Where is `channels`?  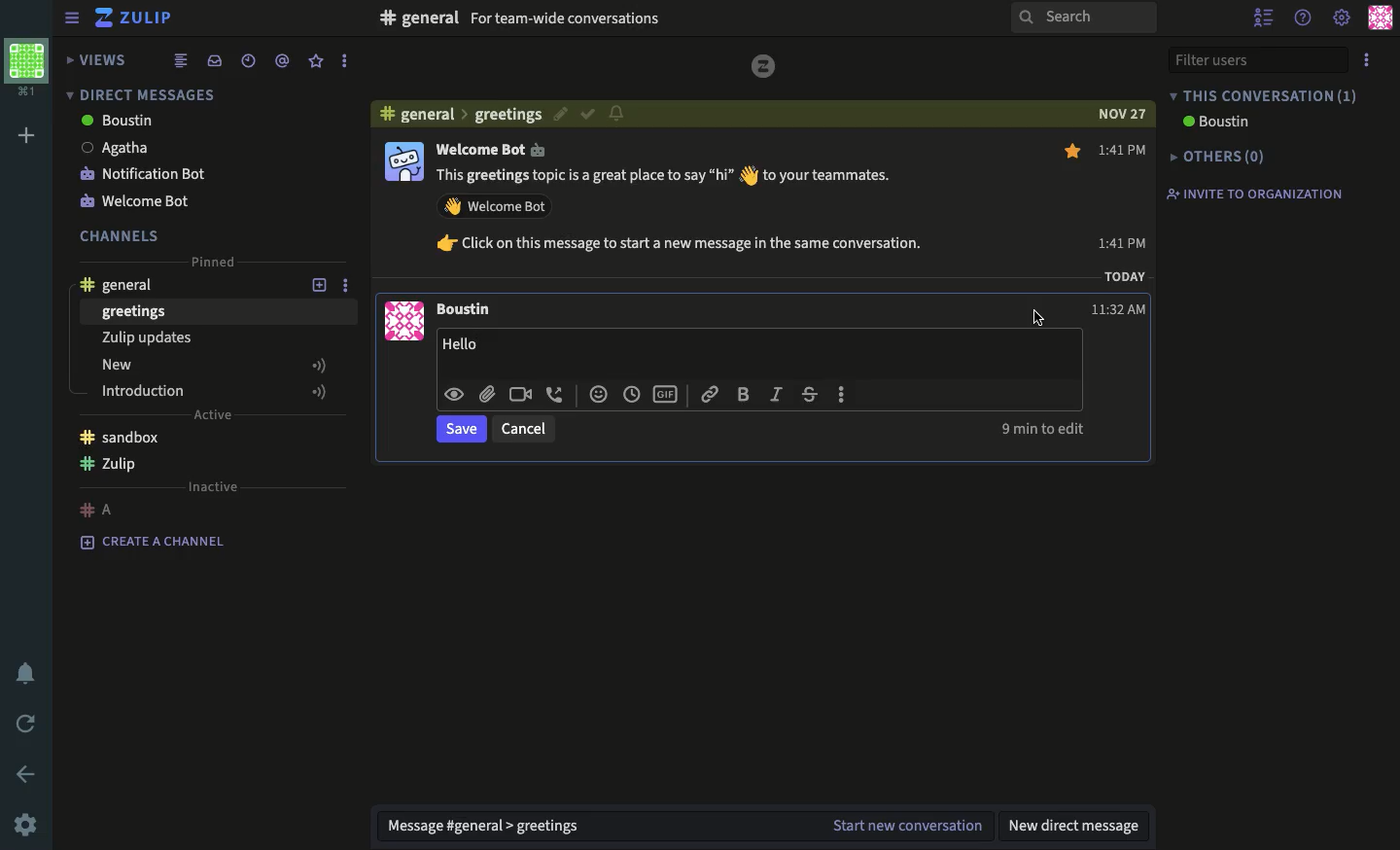
channels is located at coordinates (122, 234).